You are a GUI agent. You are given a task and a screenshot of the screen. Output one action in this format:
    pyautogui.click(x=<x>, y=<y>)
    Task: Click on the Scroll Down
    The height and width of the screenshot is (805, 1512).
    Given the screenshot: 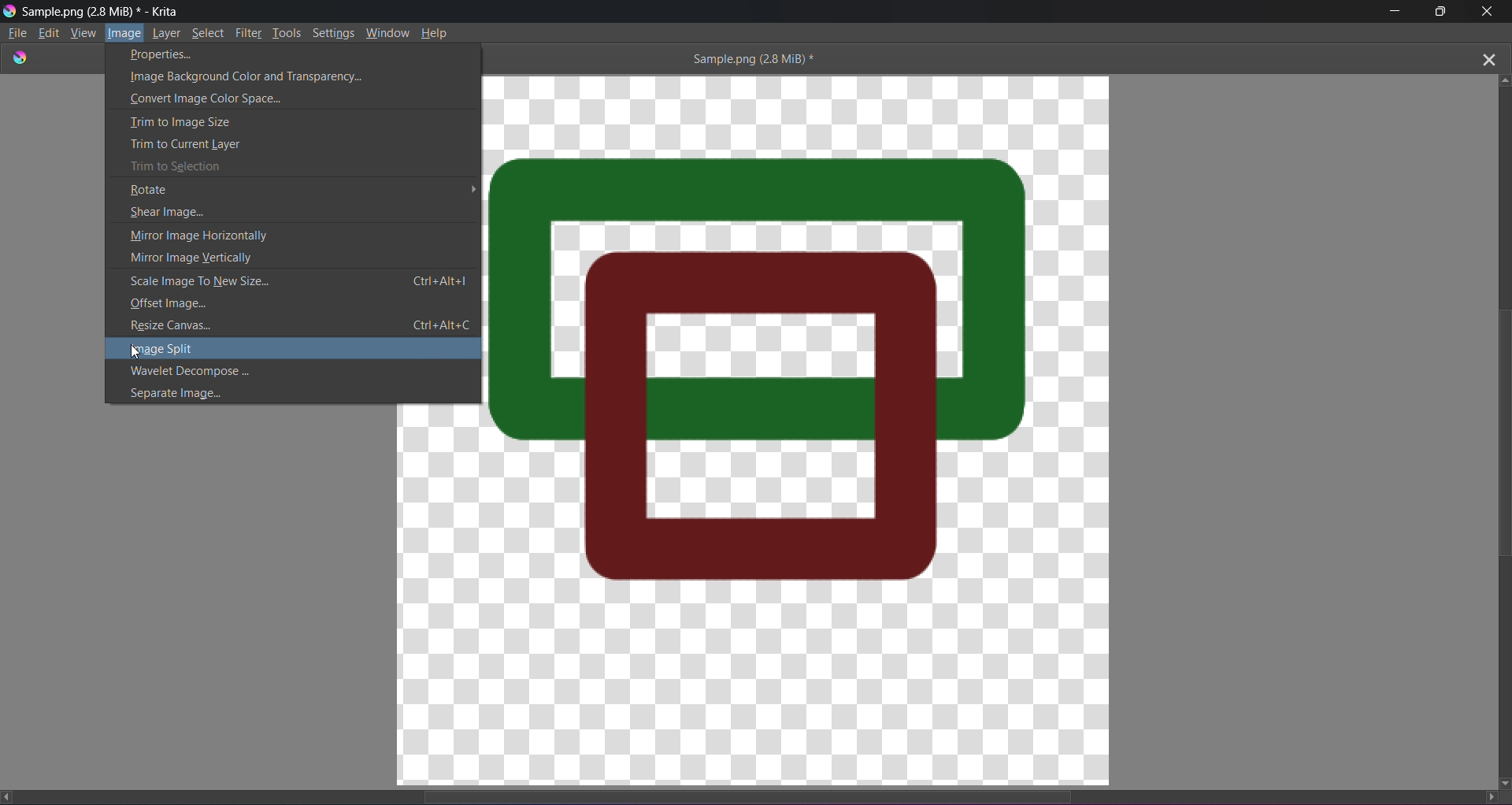 What is the action you would take?
    pyautogui.click(x=1503, y=782)
    